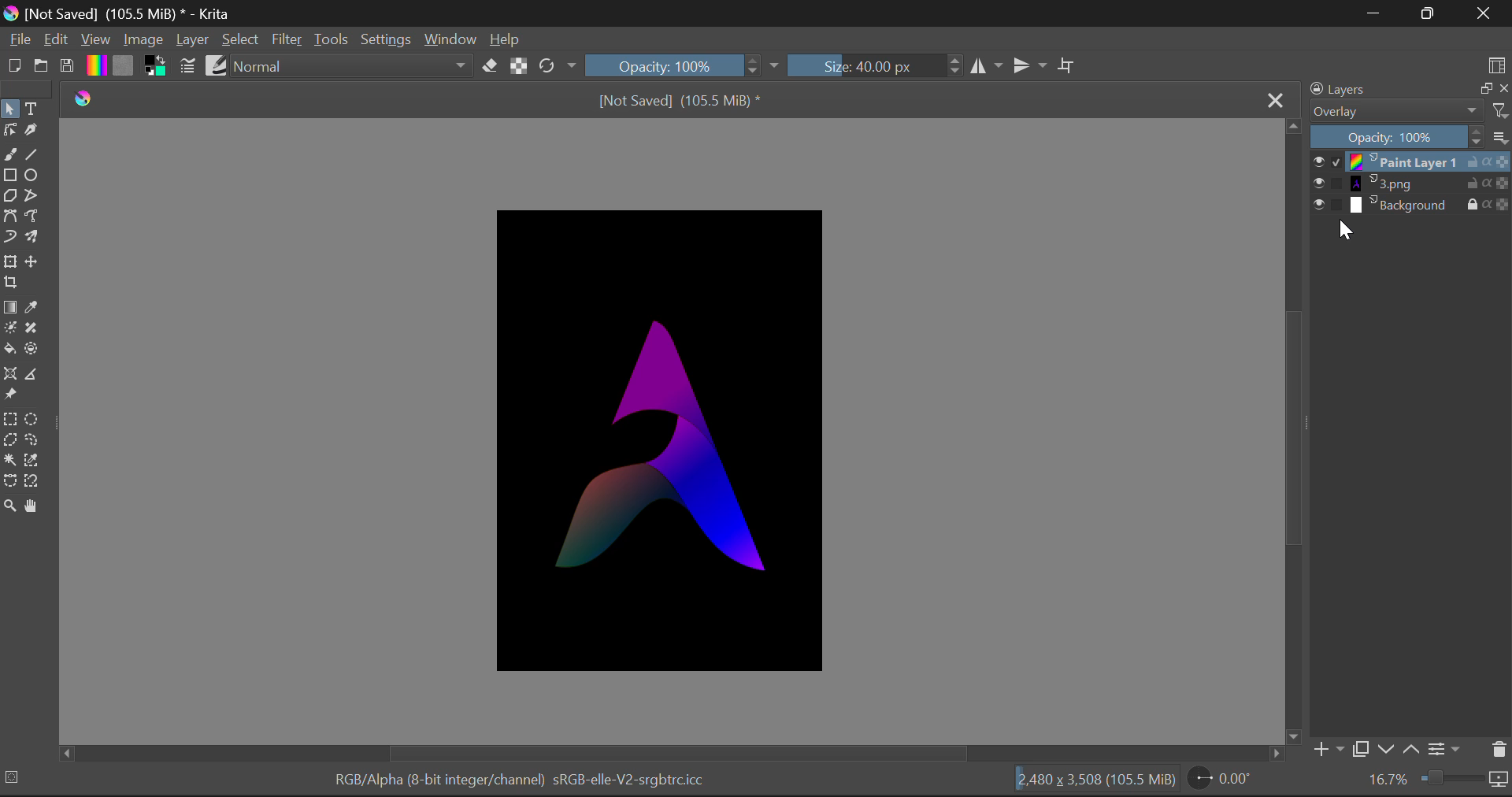 The width and height of the screenshot is (1512, 797). I want to click on lock layer, so click(1477, 202).